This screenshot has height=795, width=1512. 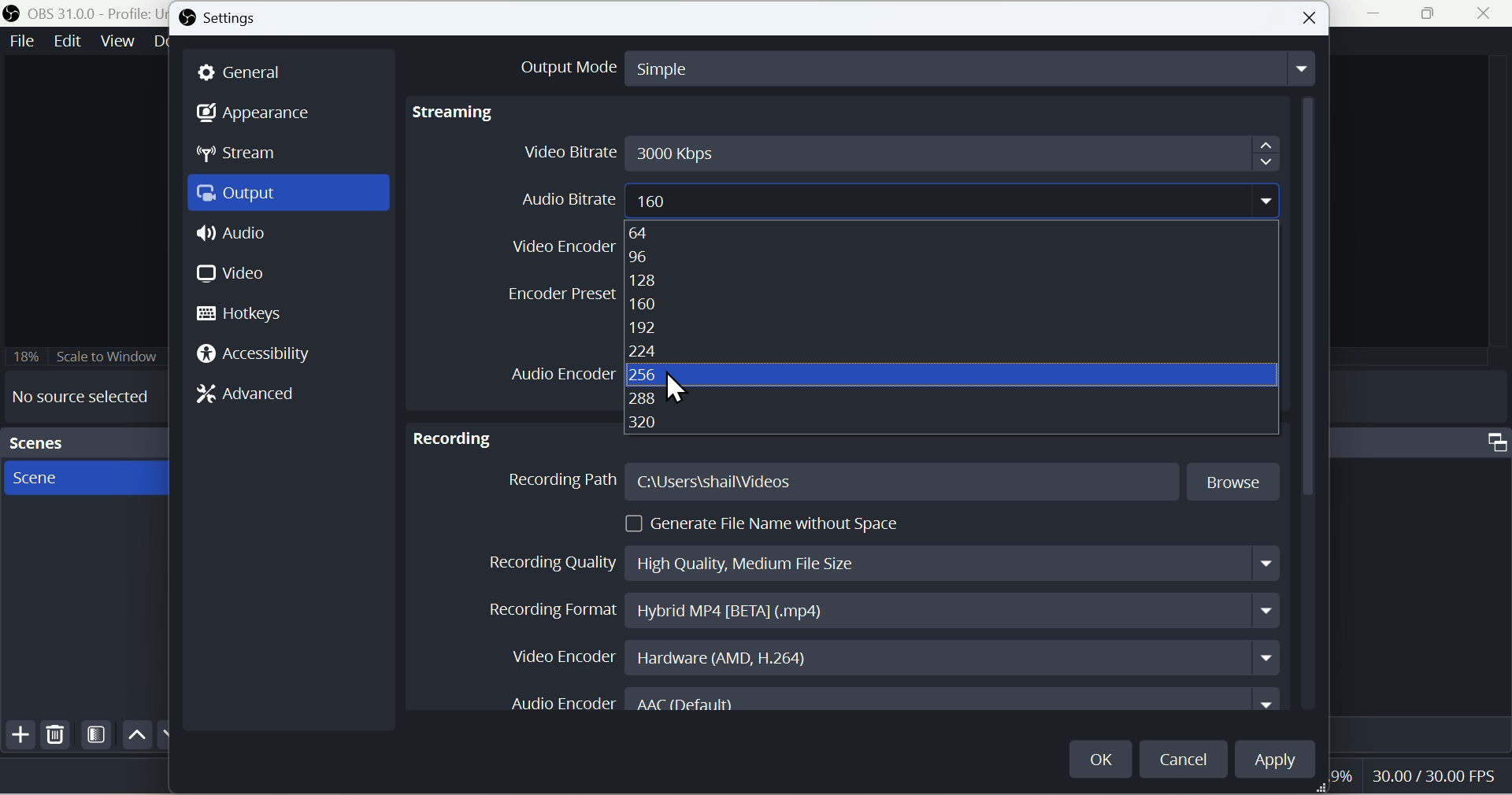 What do you see at coordinates (558, 372) in the screenshot?
I see `audio encoder` at bounding box center [558, 372].